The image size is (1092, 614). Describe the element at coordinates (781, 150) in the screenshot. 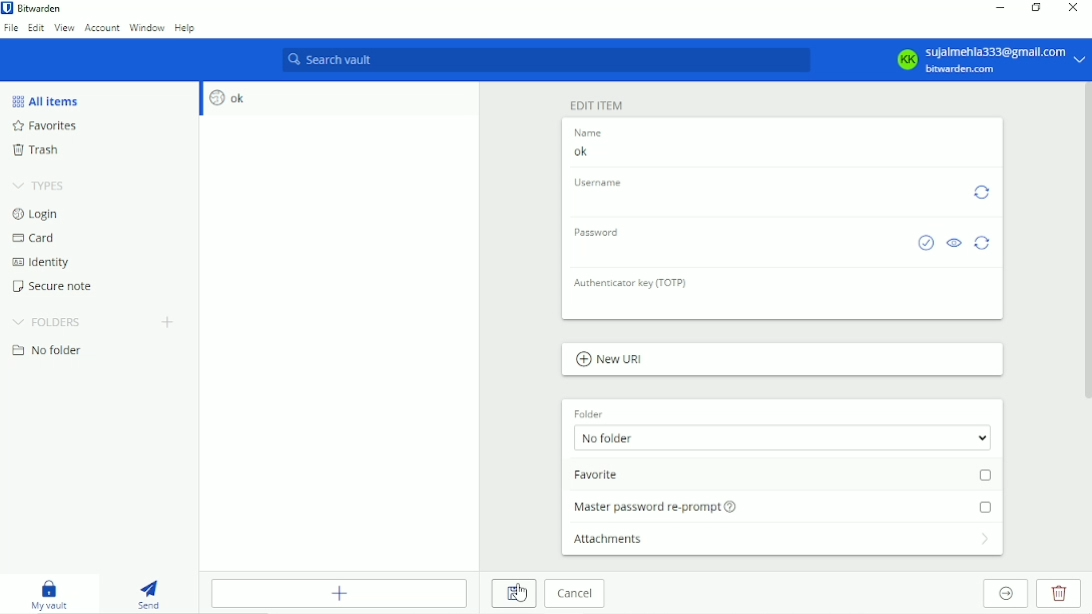

I see `add/edit name` at that location.